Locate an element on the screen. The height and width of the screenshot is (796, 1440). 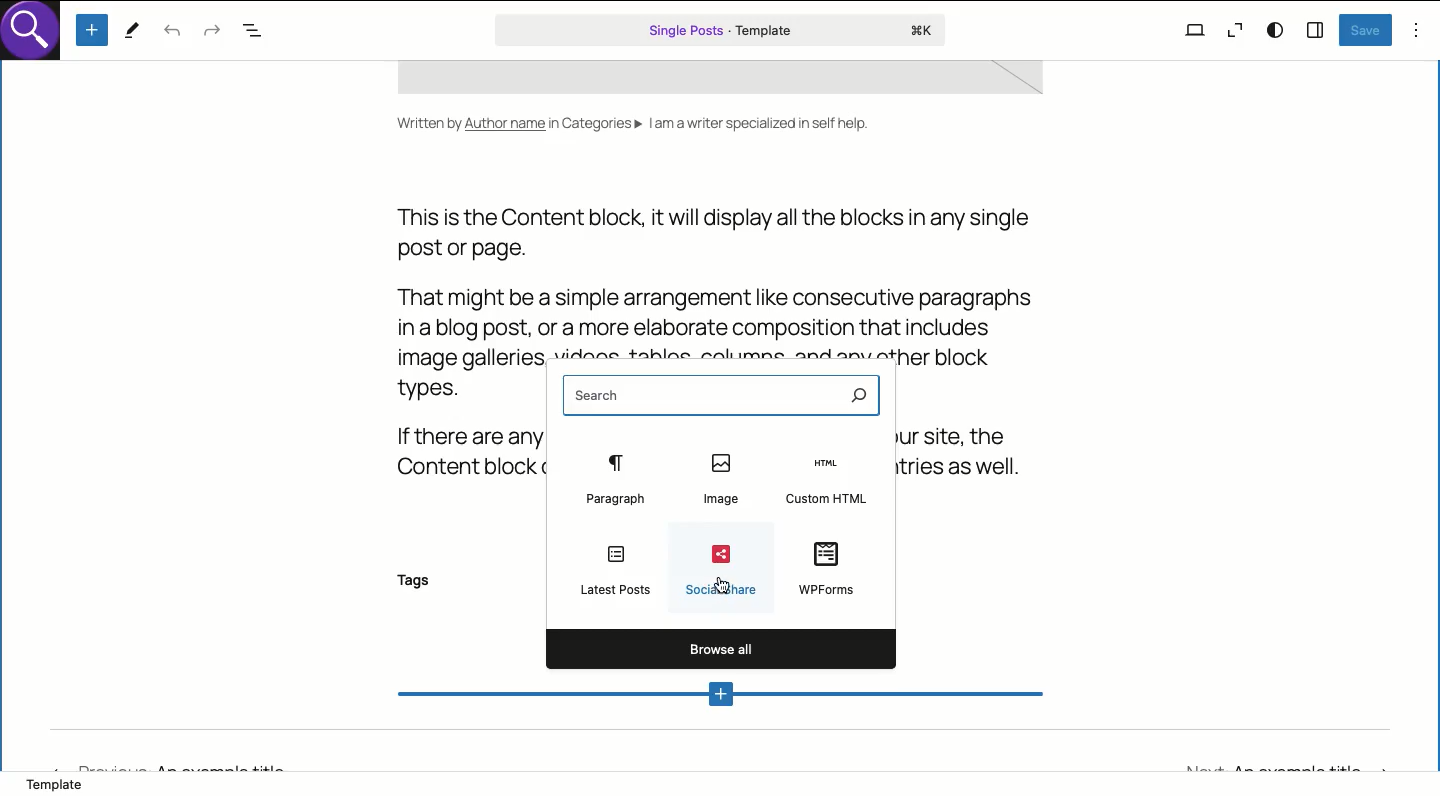
Custom HTML is located at coordinates (827, 477).